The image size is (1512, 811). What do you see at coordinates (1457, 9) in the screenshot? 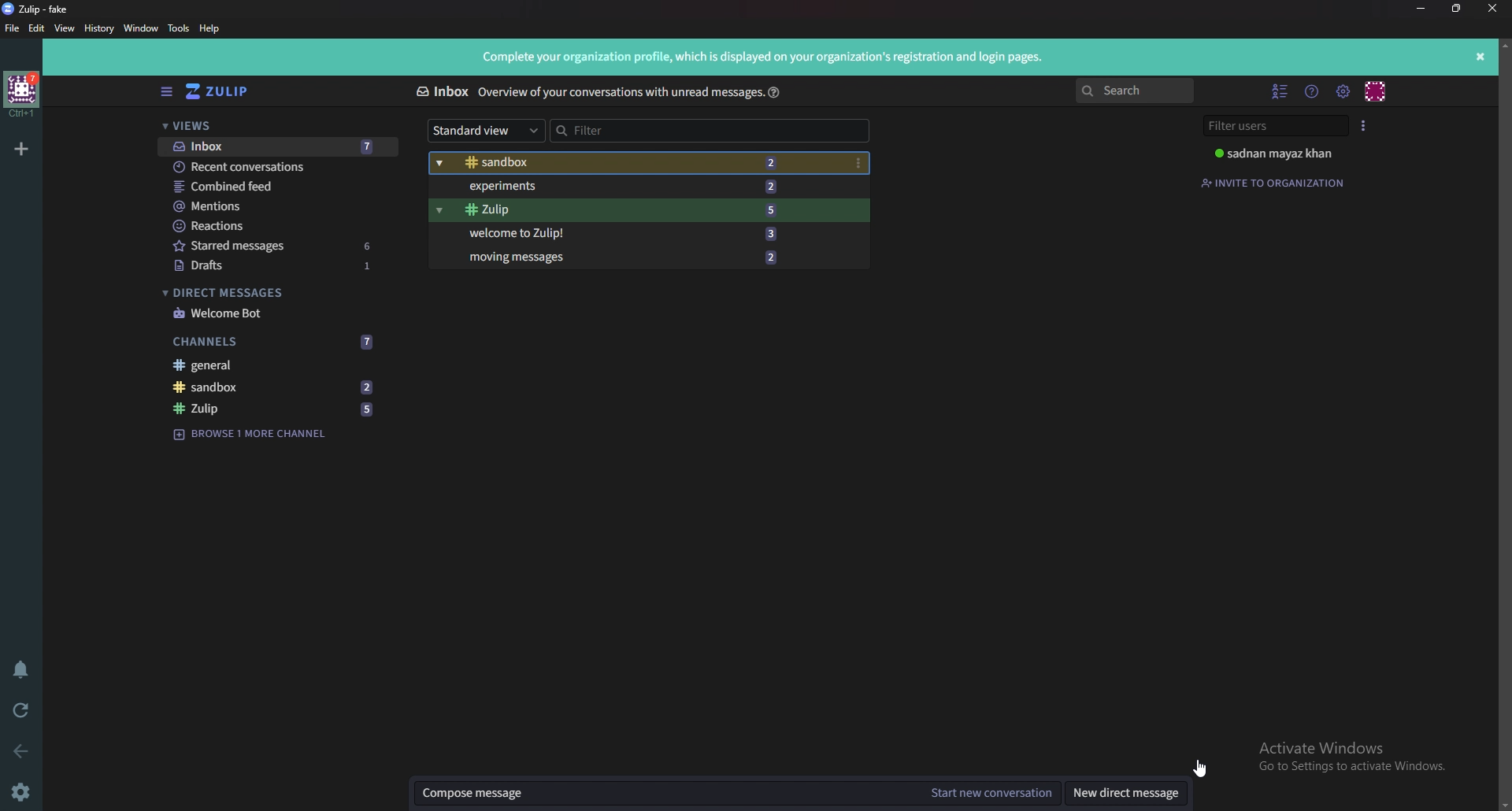
I see `resize` at bounding box center [1457, 9].